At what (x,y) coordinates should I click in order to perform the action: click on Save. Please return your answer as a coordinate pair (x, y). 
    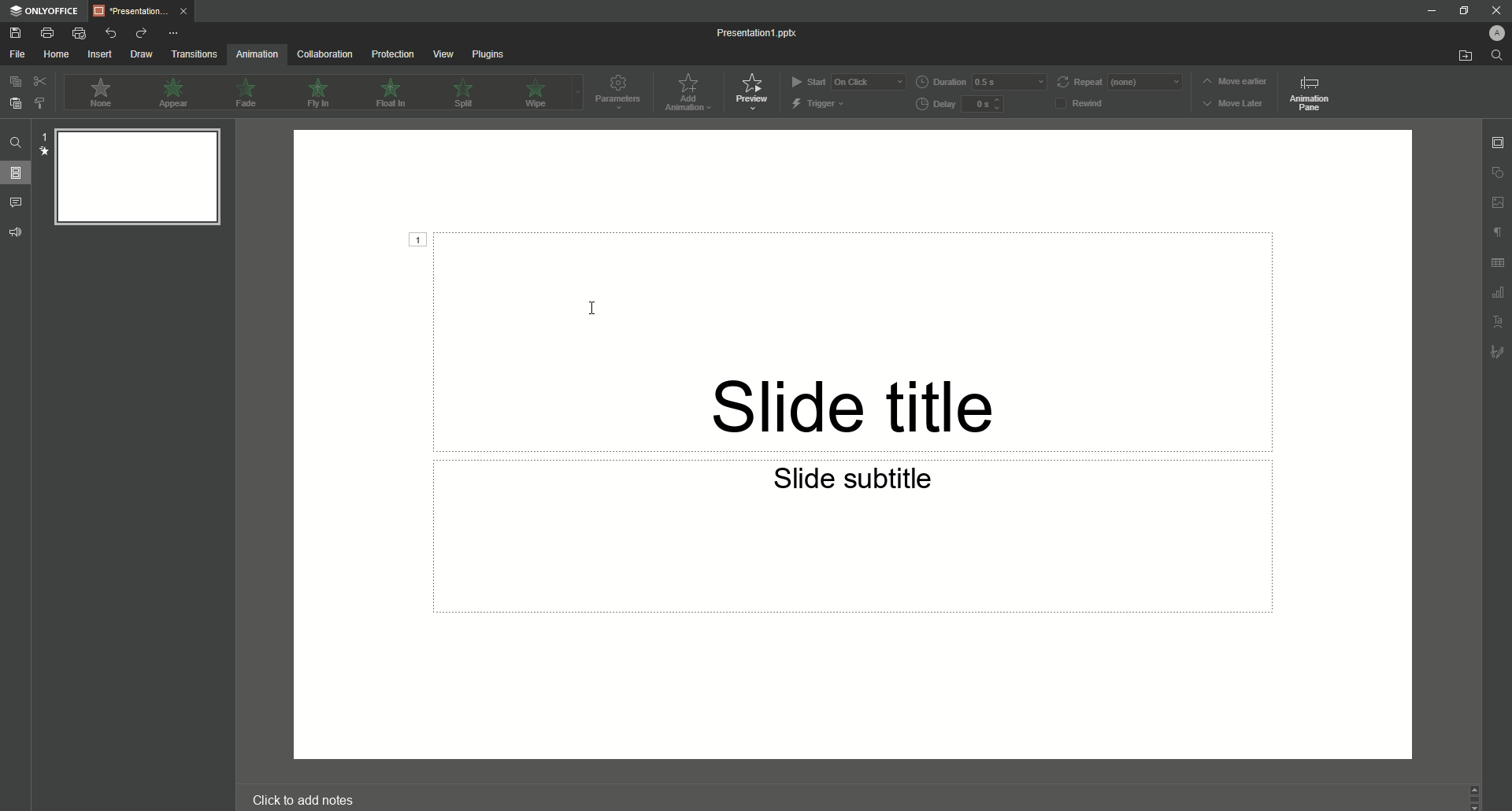
    Looking at the image, I should click on (20, 31).